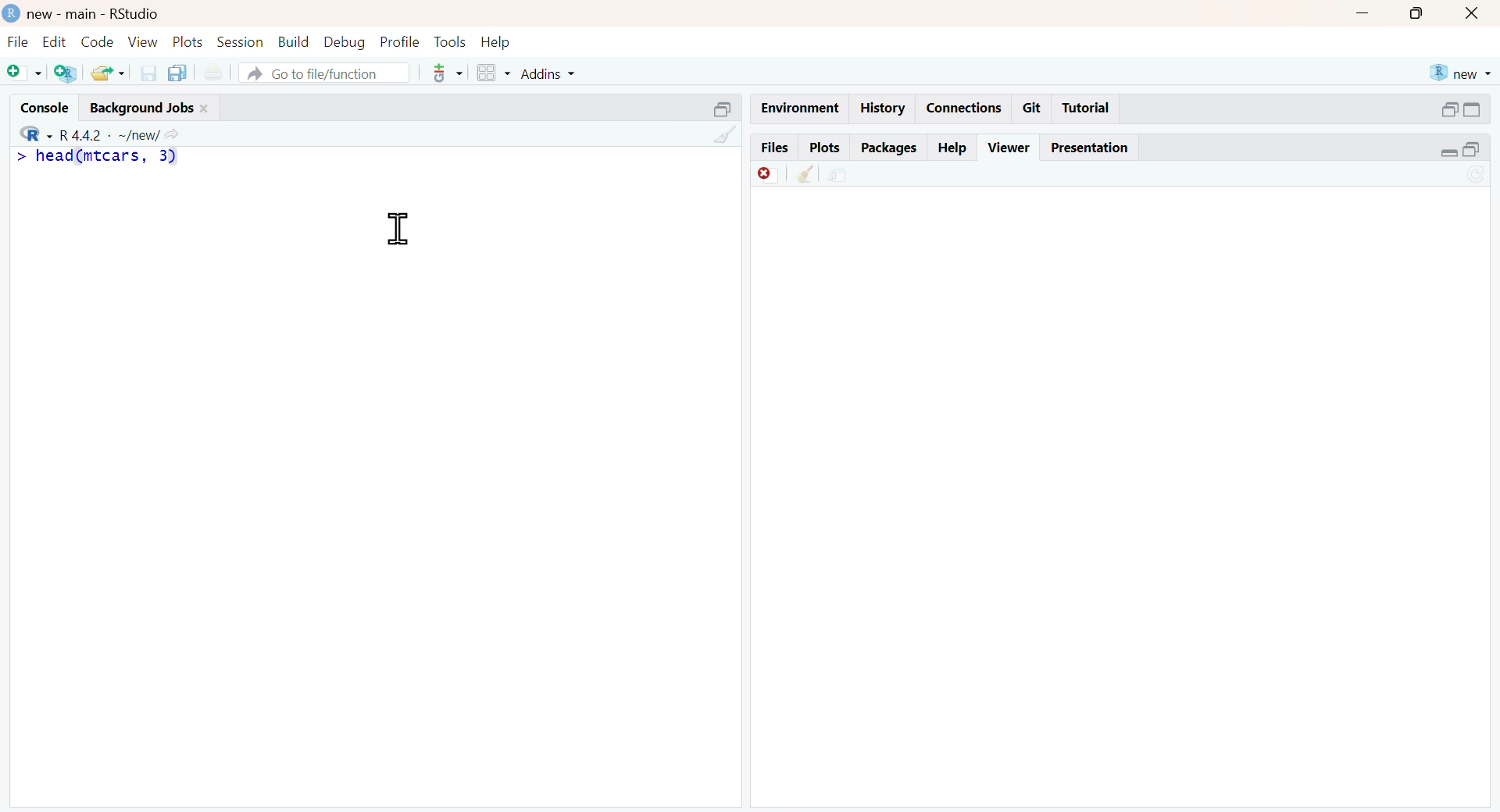  Describe the element at coordinates (39, 104) in the screenshot. I see `Console` at that location.